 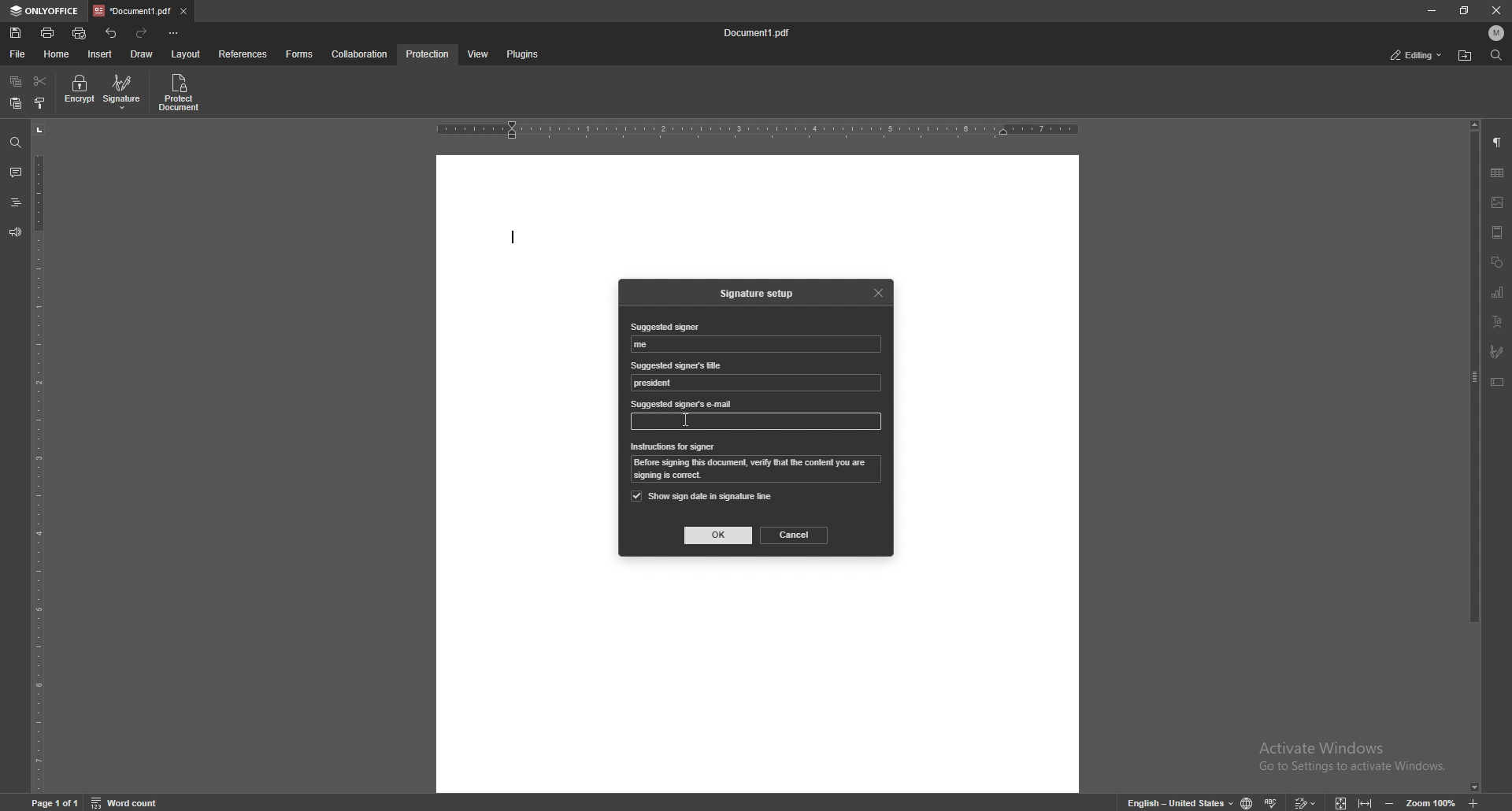 I want to click on status, so click(x=1417, y=56).